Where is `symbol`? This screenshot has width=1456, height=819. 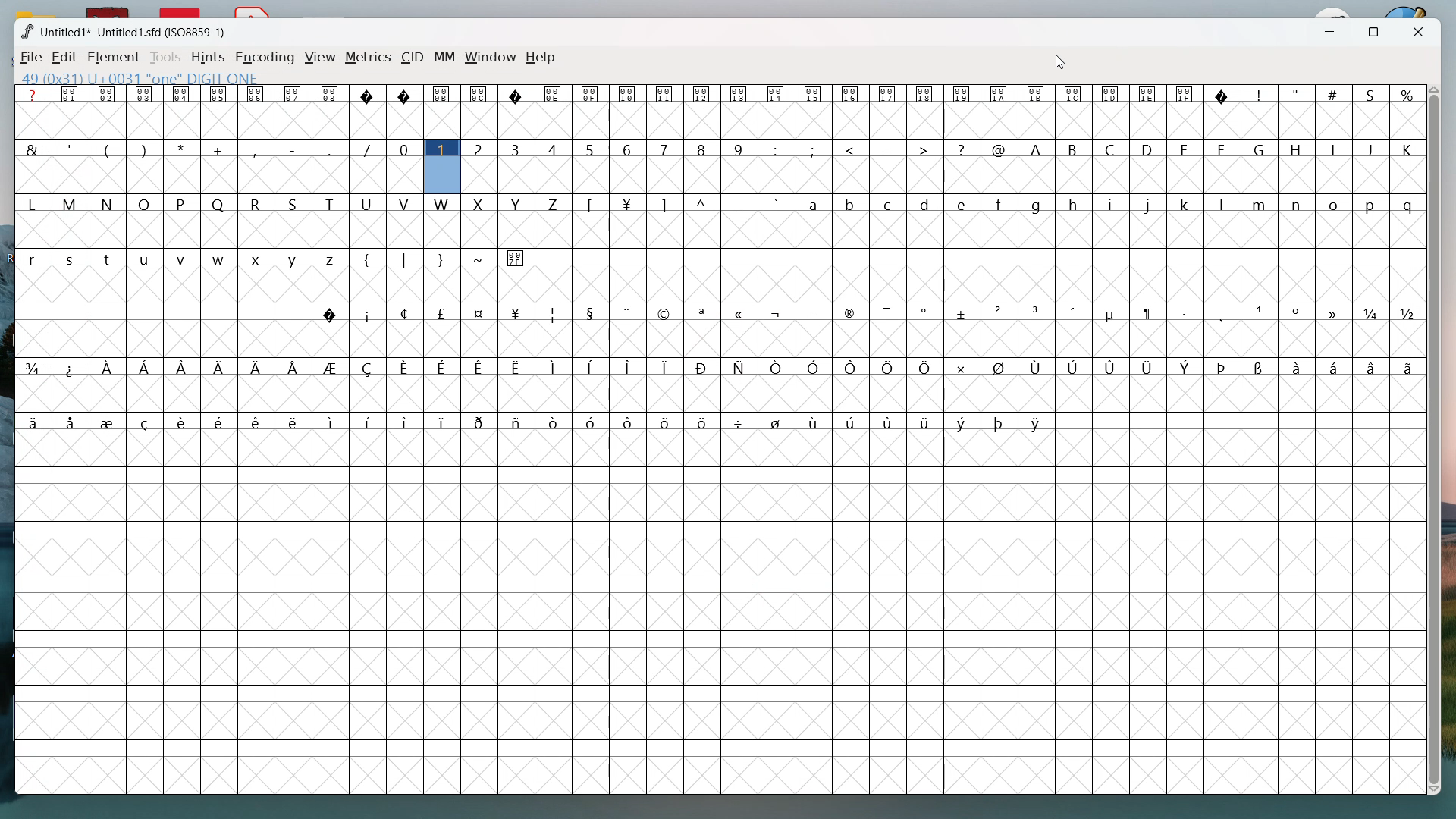
symbol is located at coordinates (778, 367).